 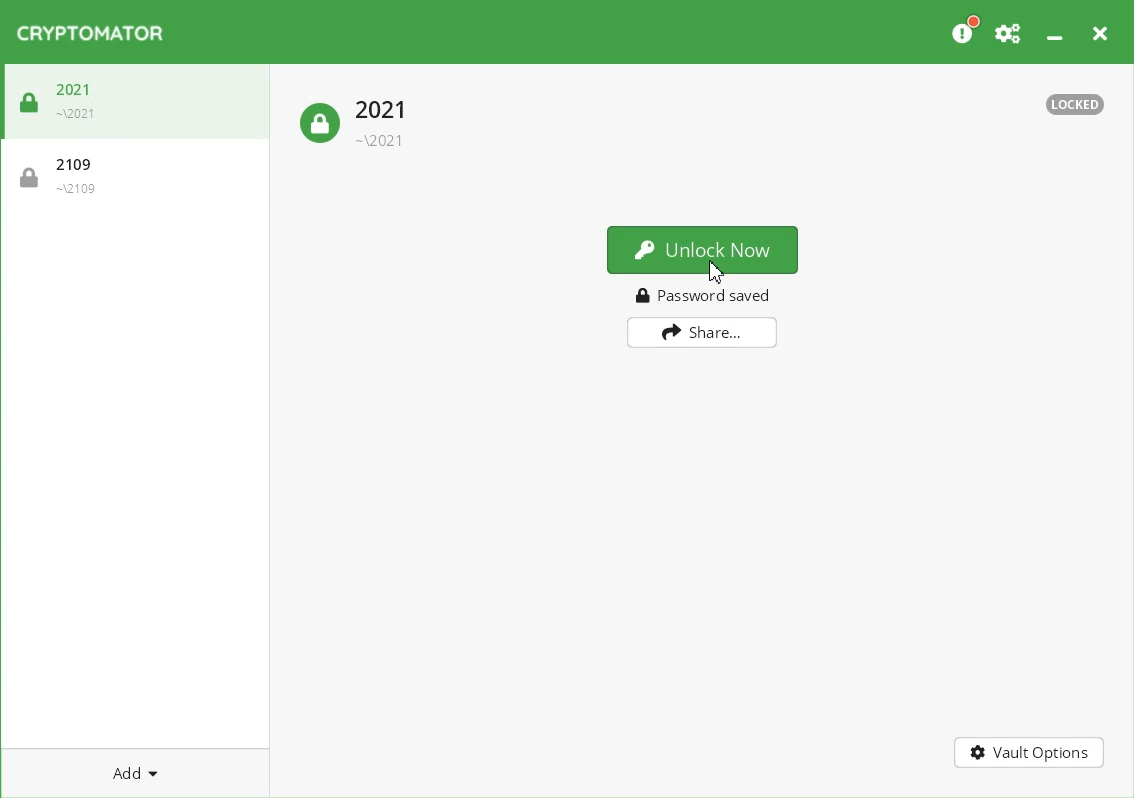 What do you see at coordinates (704, 294) in the screenshot?
I see `Text` at bounding box center [704, 294].